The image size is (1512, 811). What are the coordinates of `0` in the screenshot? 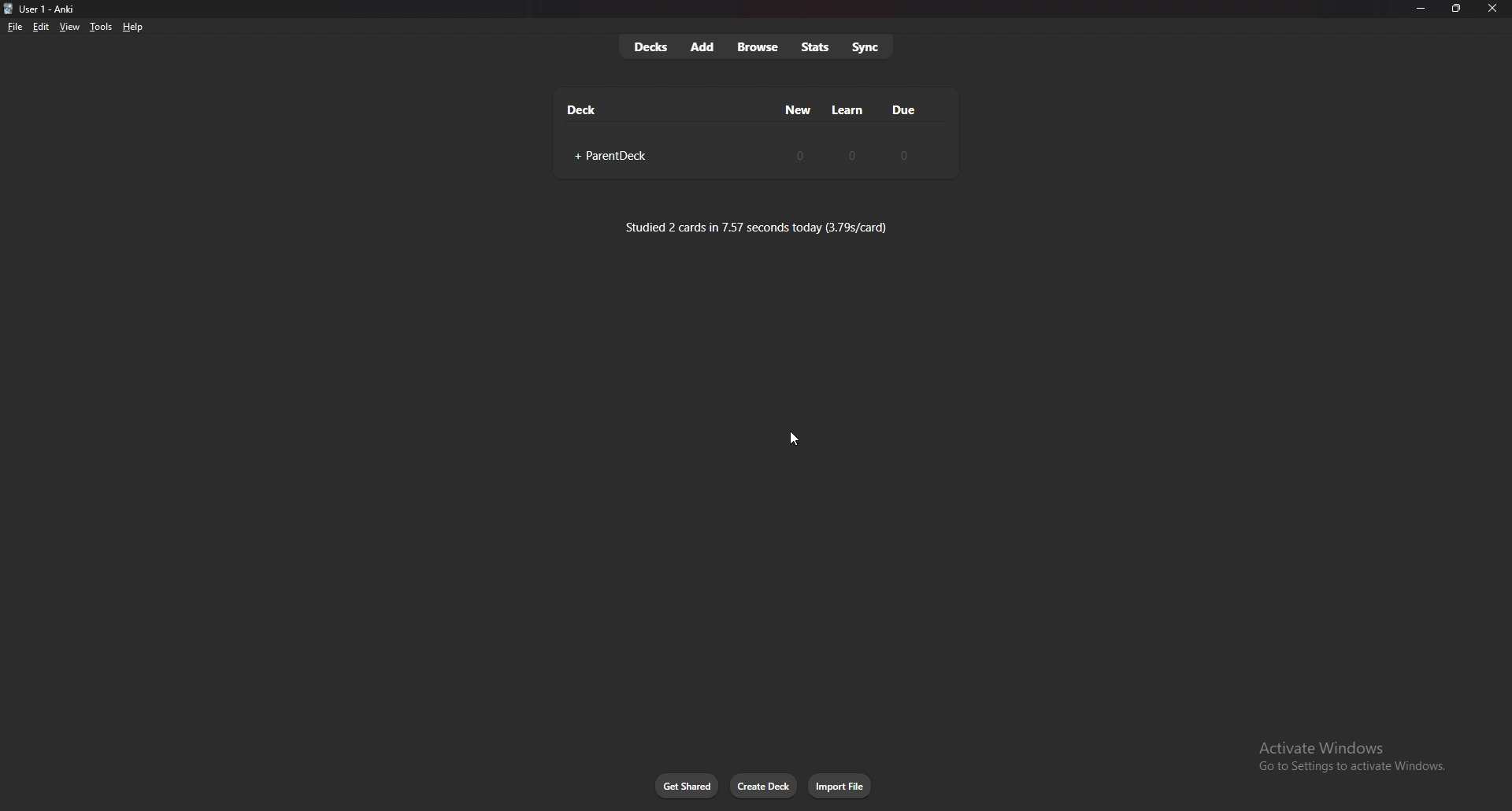 It's located at (902, 155).